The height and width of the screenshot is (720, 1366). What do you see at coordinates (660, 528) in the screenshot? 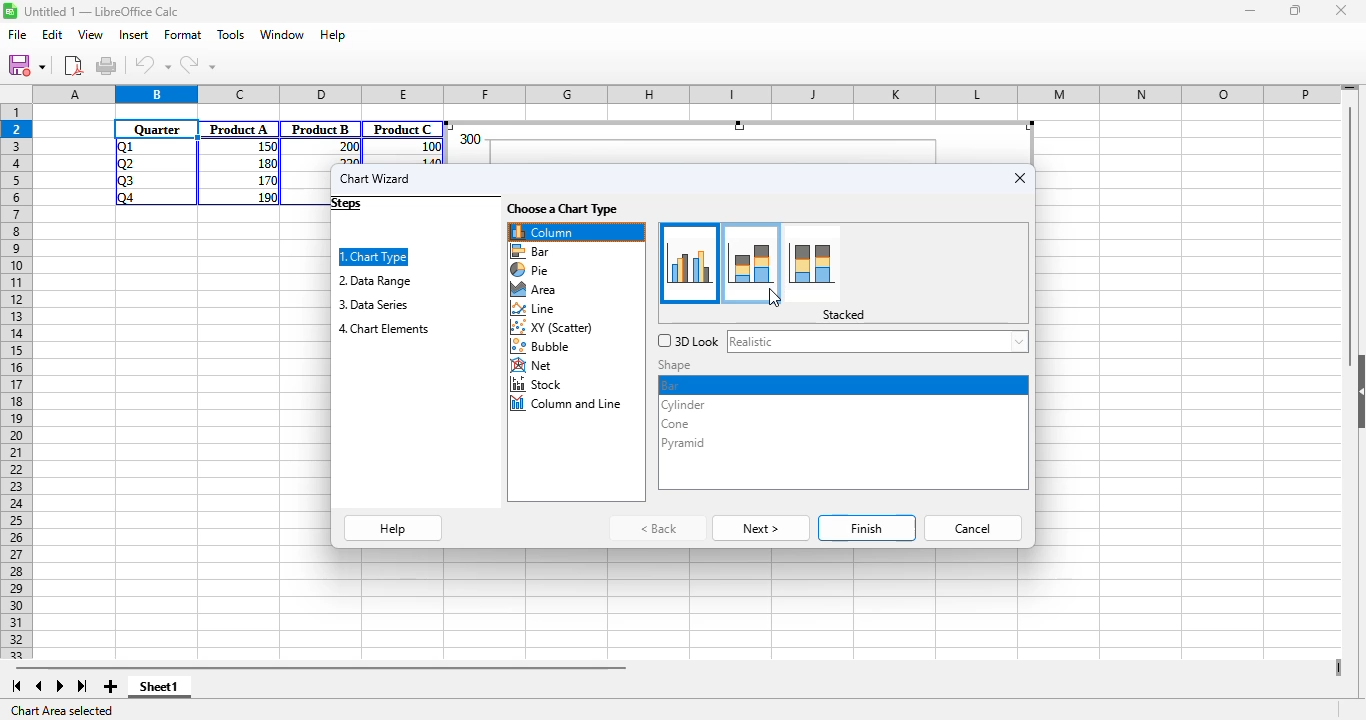
I see `back` at bounding box center [660, 528].